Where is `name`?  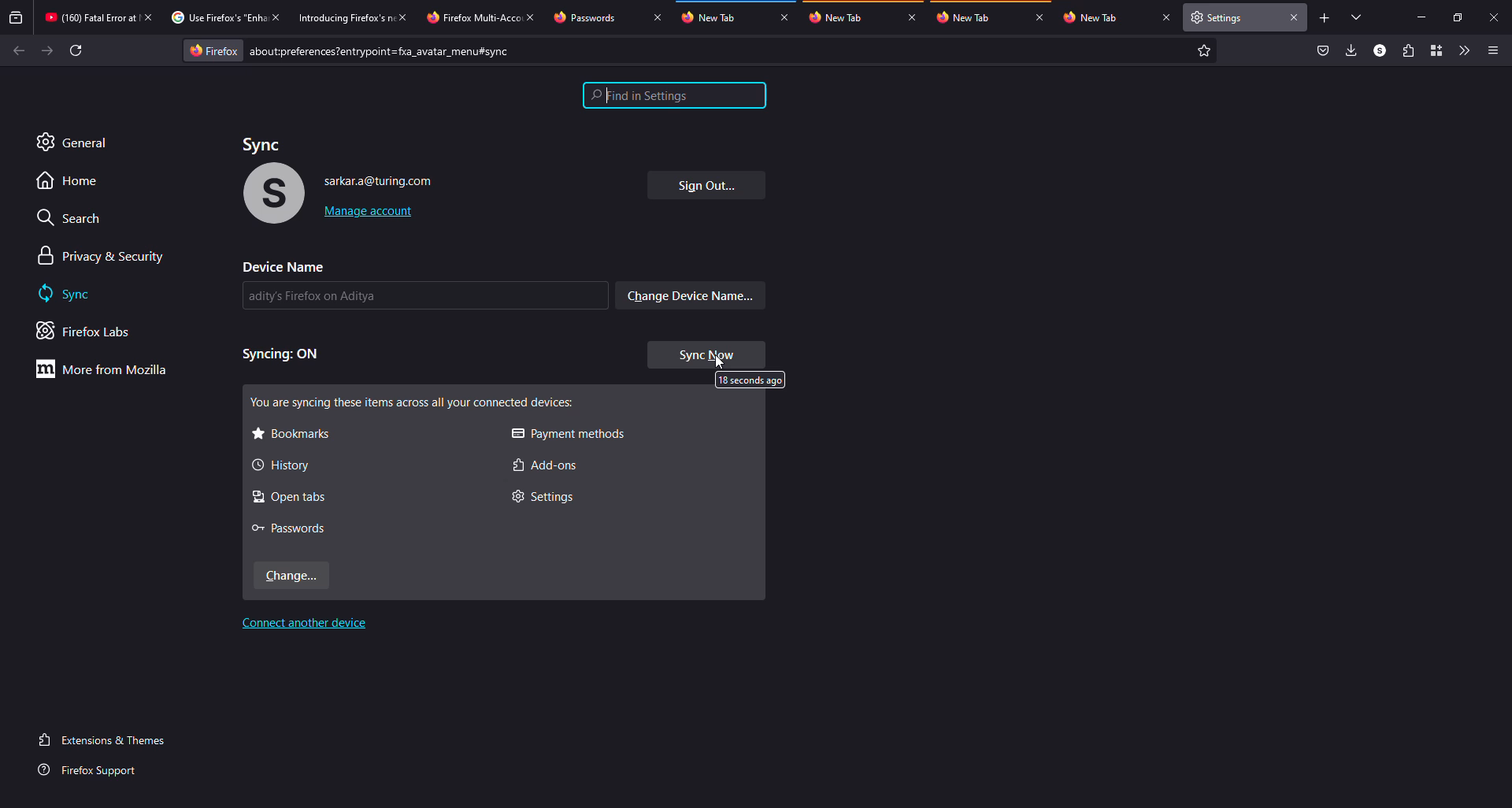 name is located at coordinates (424, 295).